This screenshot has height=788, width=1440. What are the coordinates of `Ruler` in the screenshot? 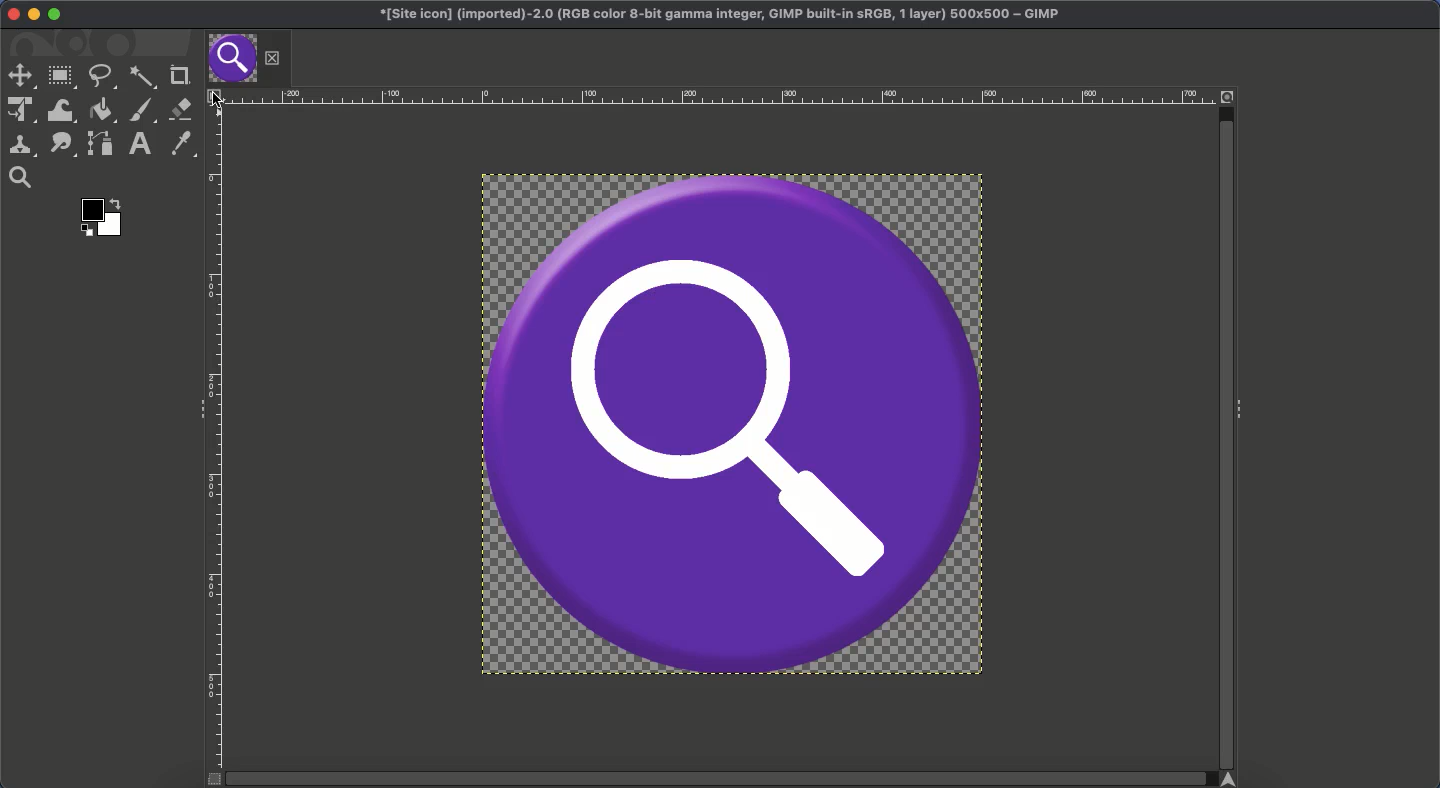 It's located at (217, 438).